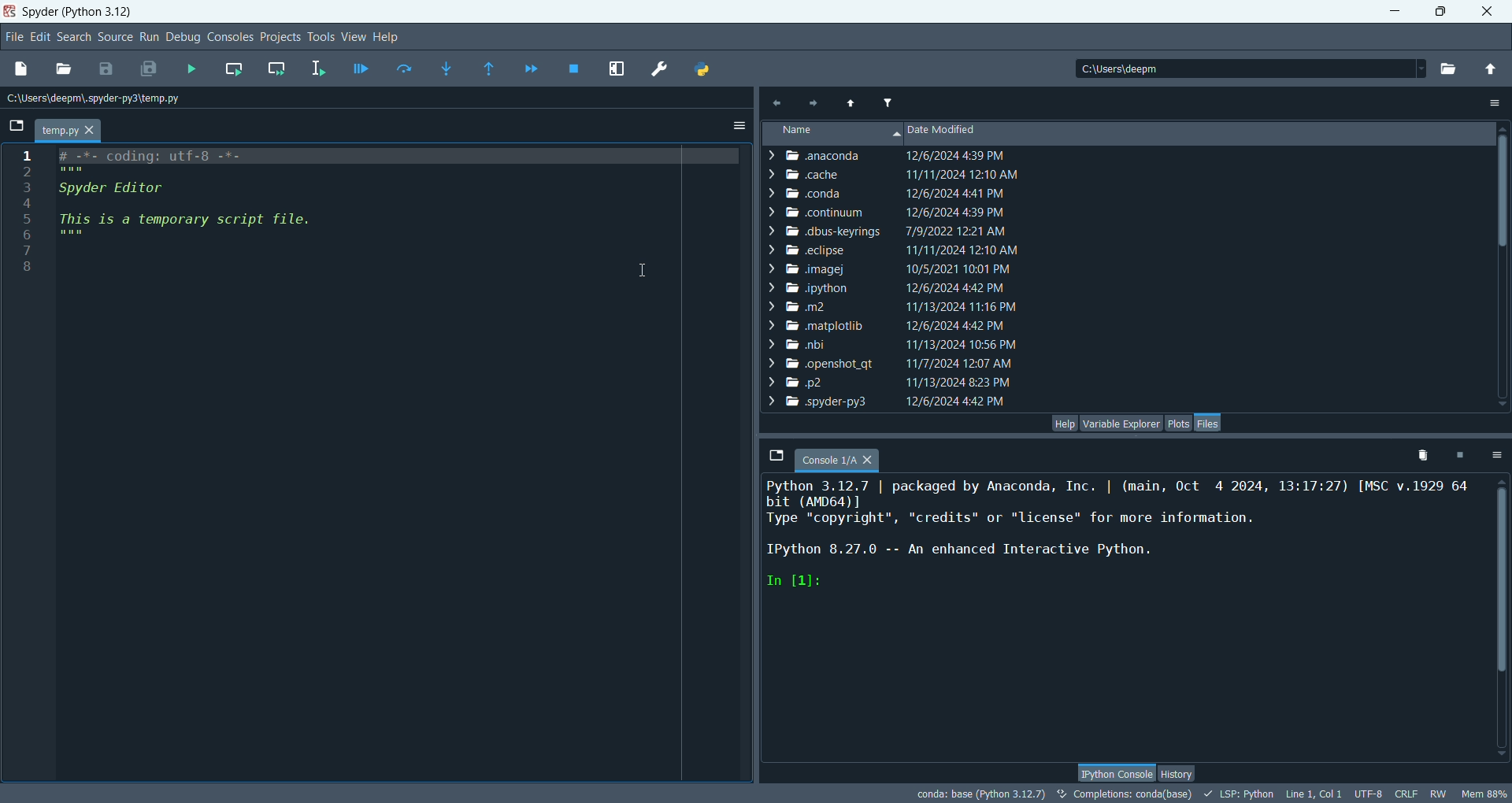  I want to click on run selection, so click(320, 68).